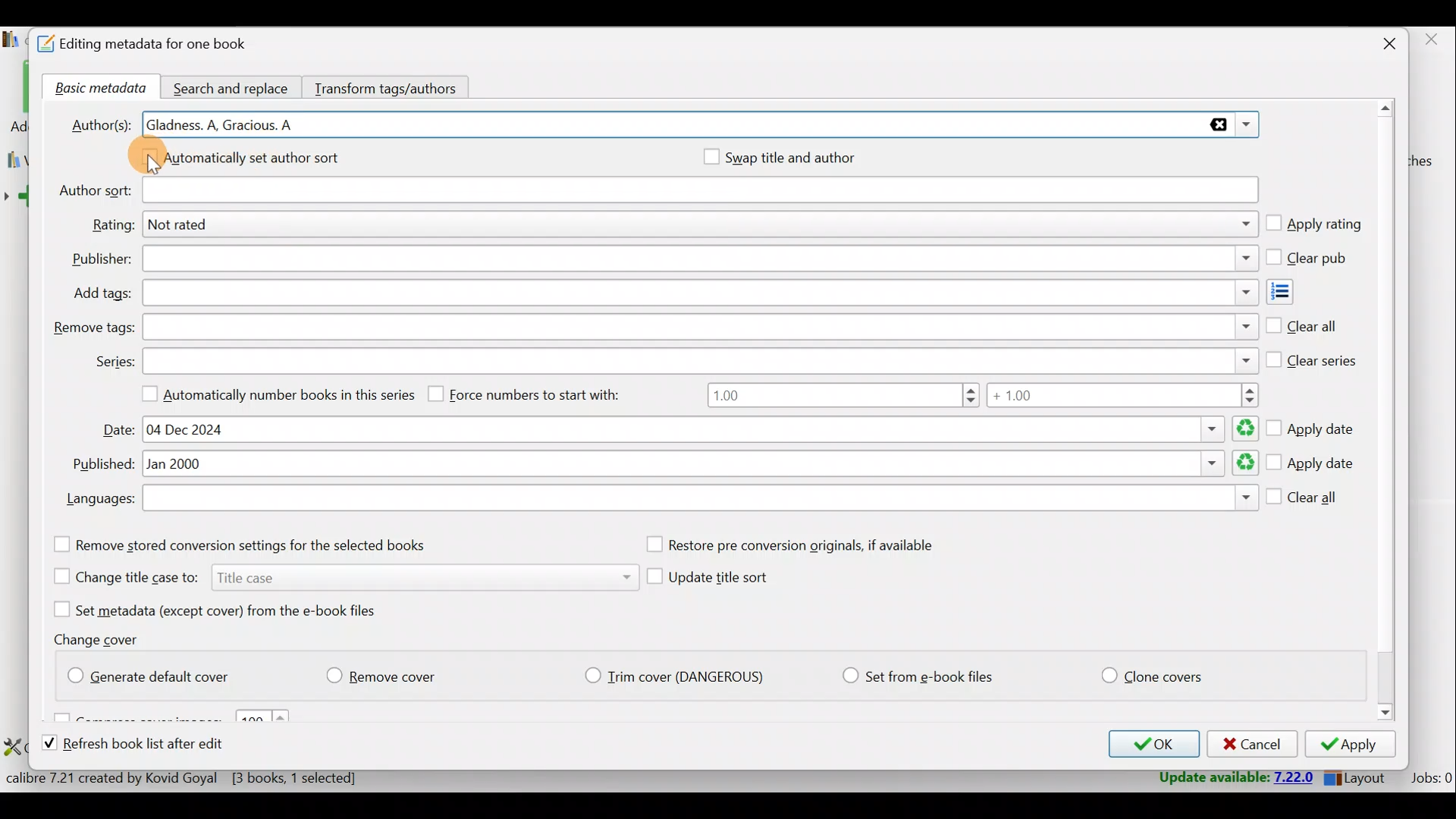 This screenshot has width=1456, height=819. Describe the element at coordinates (699, 191) in the screenshot. I see `Author sort` at that location.